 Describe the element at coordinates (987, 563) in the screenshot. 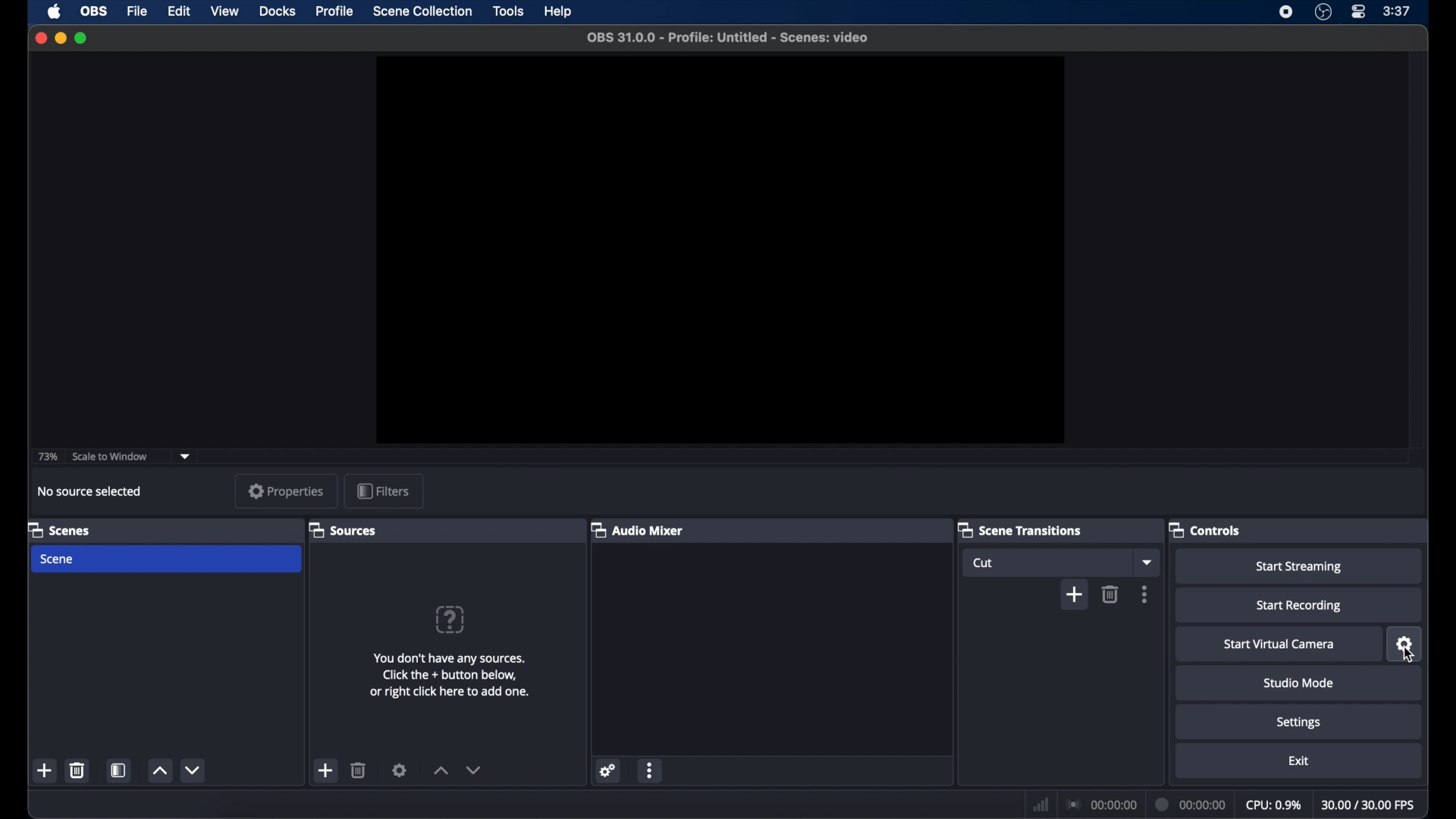

I see `cut` at that location.